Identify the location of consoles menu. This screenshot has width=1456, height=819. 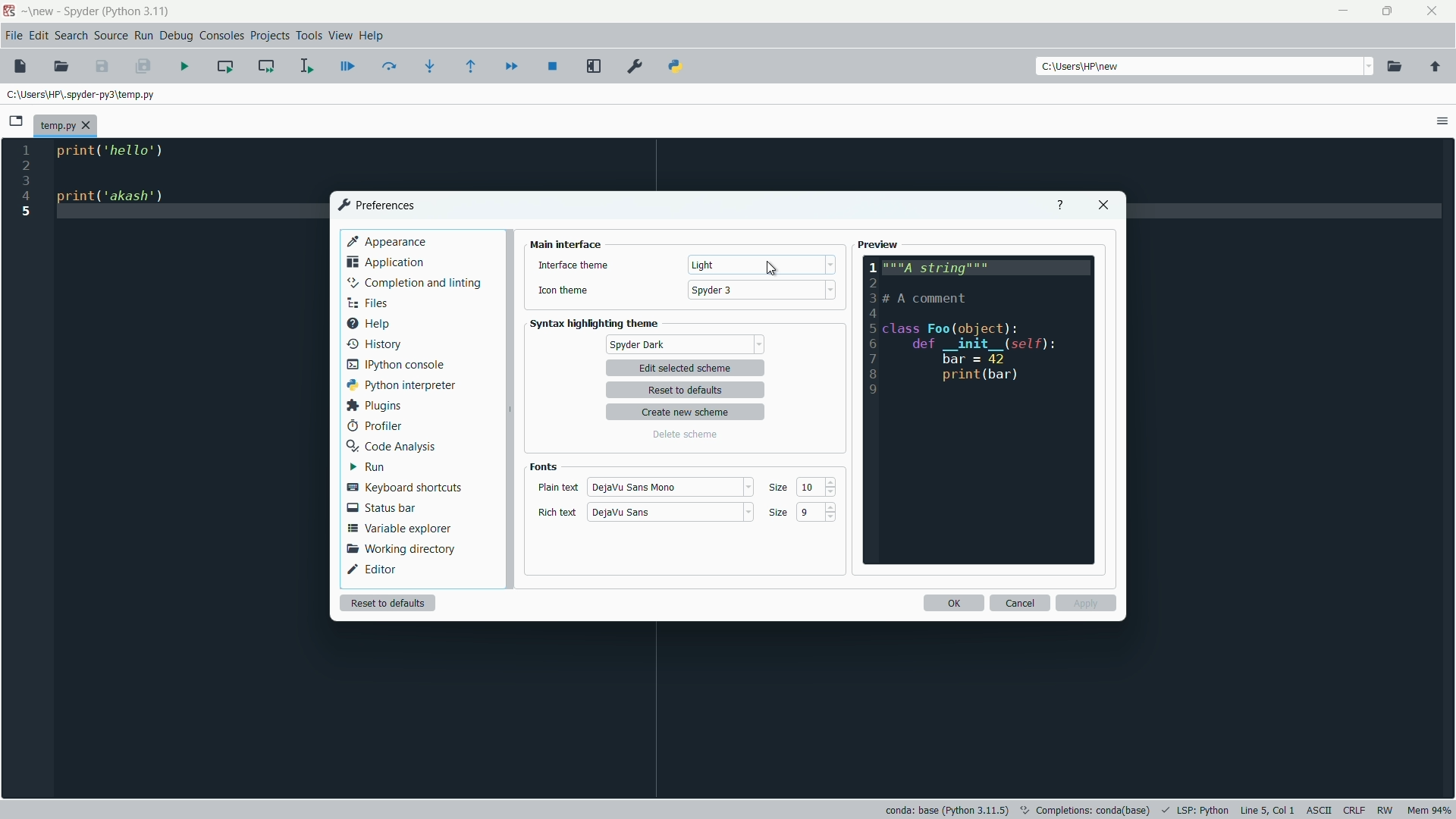
(224, 35).